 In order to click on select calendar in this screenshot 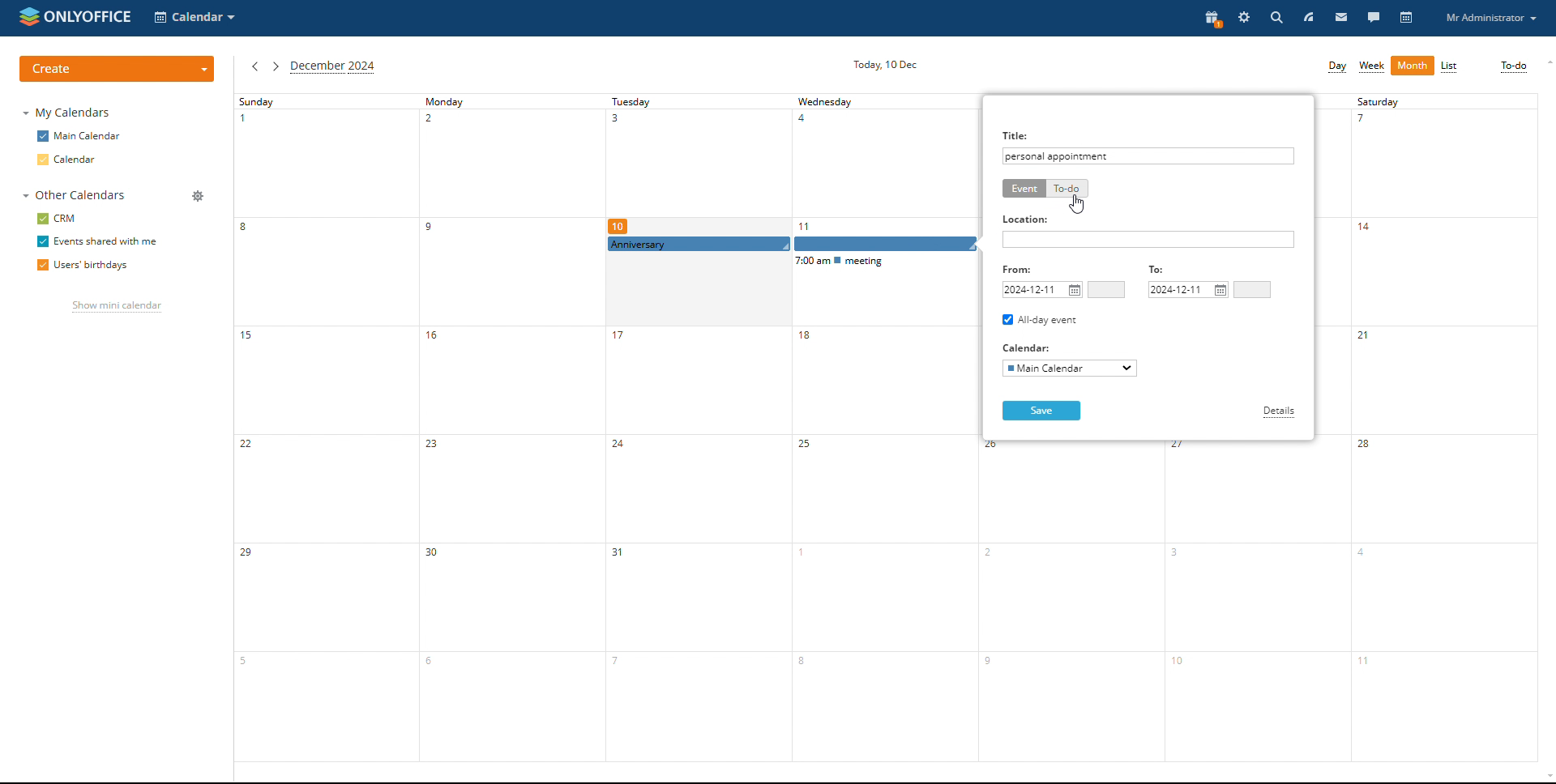, I will do `click(1069, 369)`.